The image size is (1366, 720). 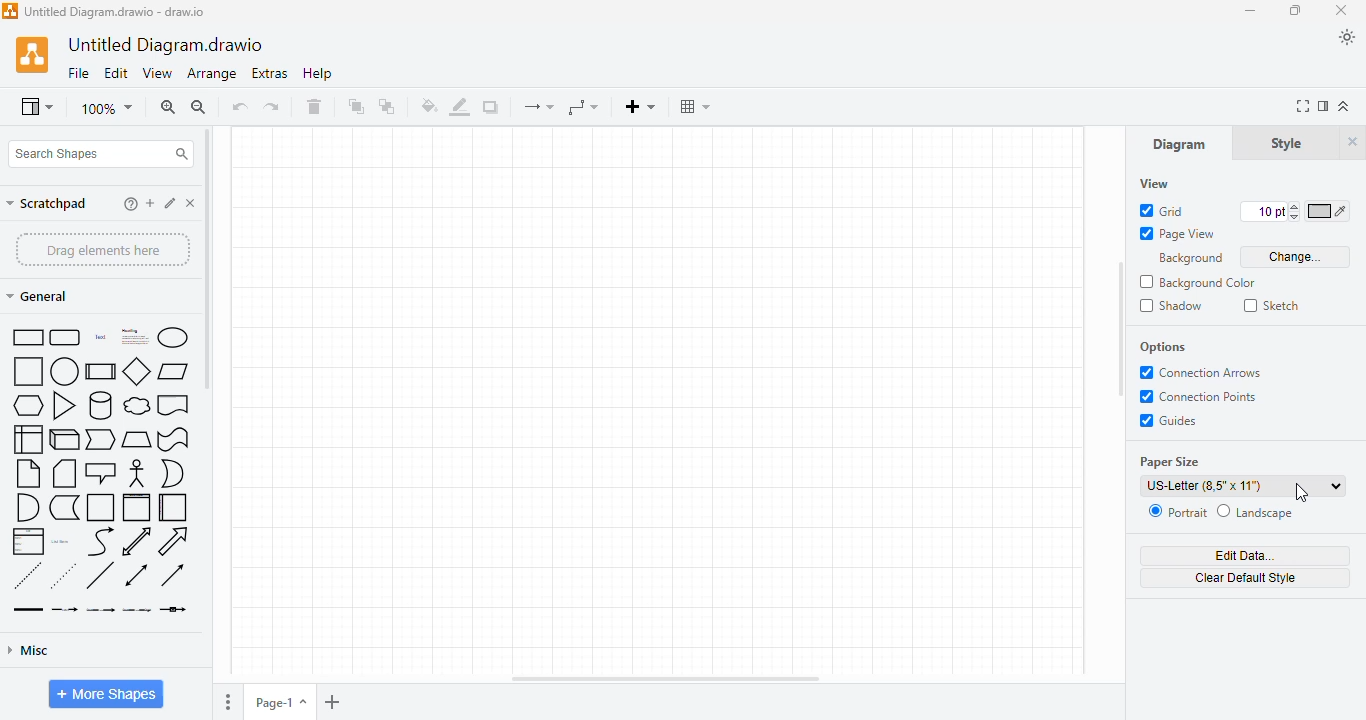 I want to click on data storage, so click(x=64, y=508).